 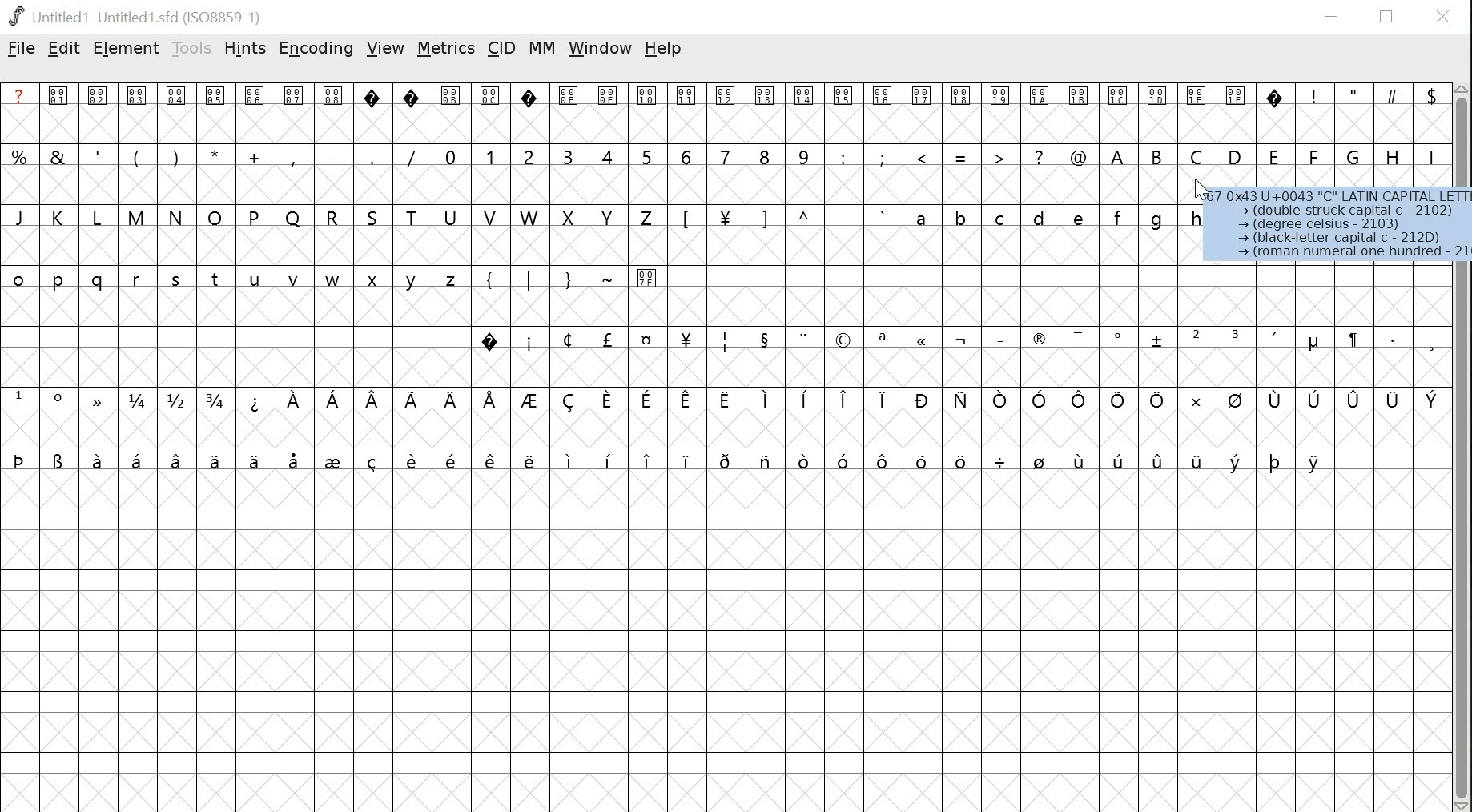 I want to click on mm, so click(x=540, y=50).